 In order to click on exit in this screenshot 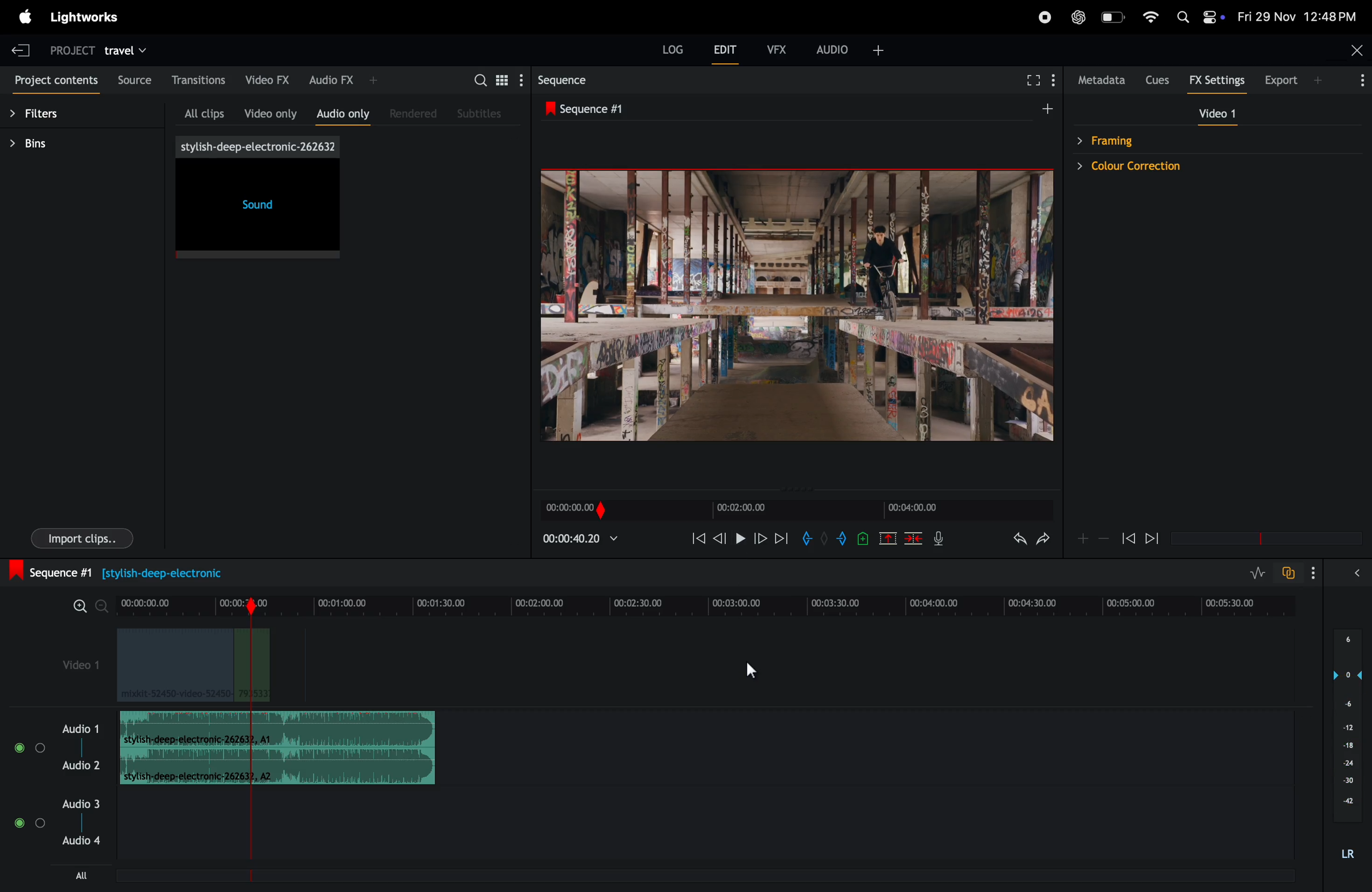, I will do `click(21, 47)`.